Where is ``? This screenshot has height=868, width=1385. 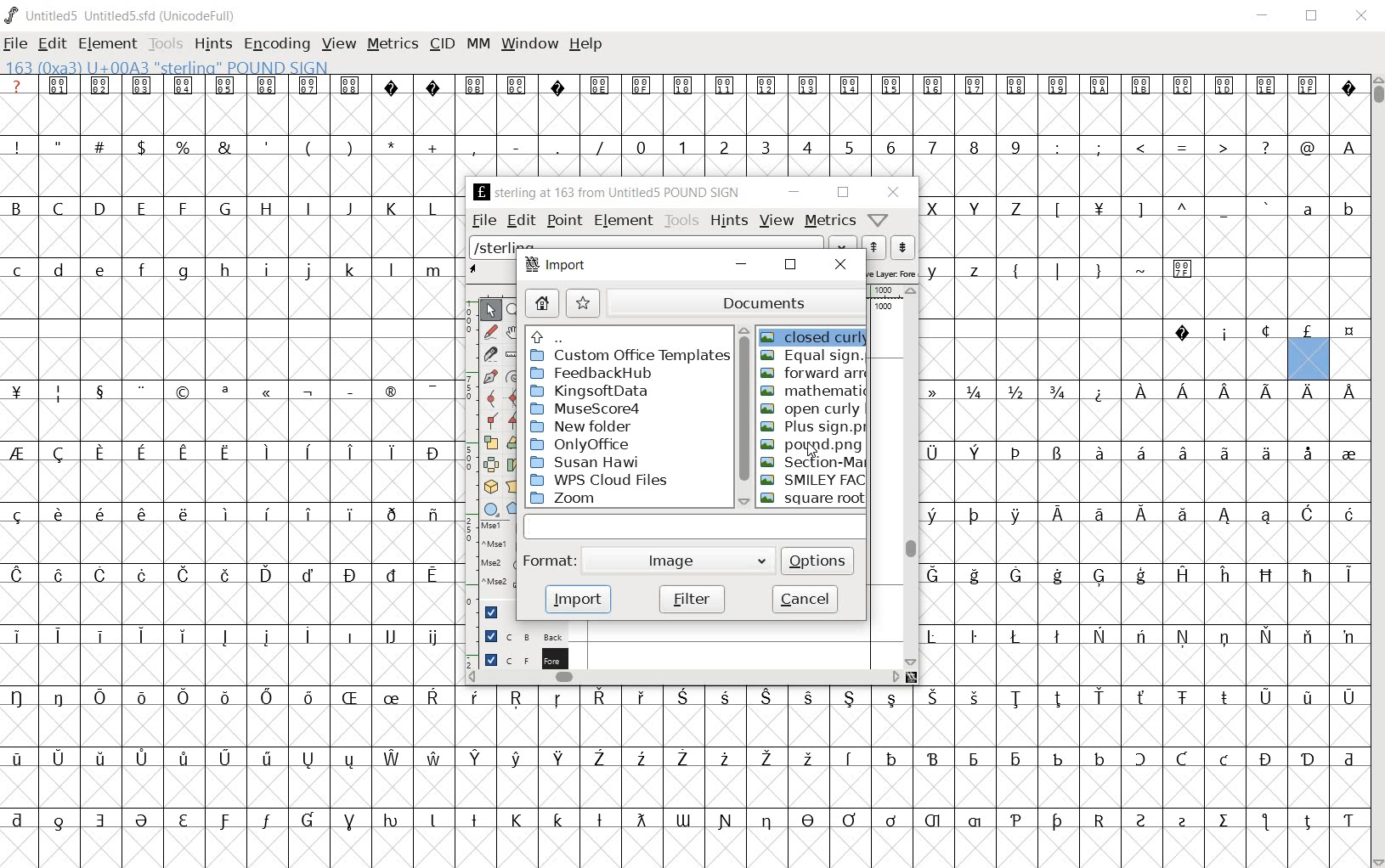
 is located at coordinates (1225, 389).